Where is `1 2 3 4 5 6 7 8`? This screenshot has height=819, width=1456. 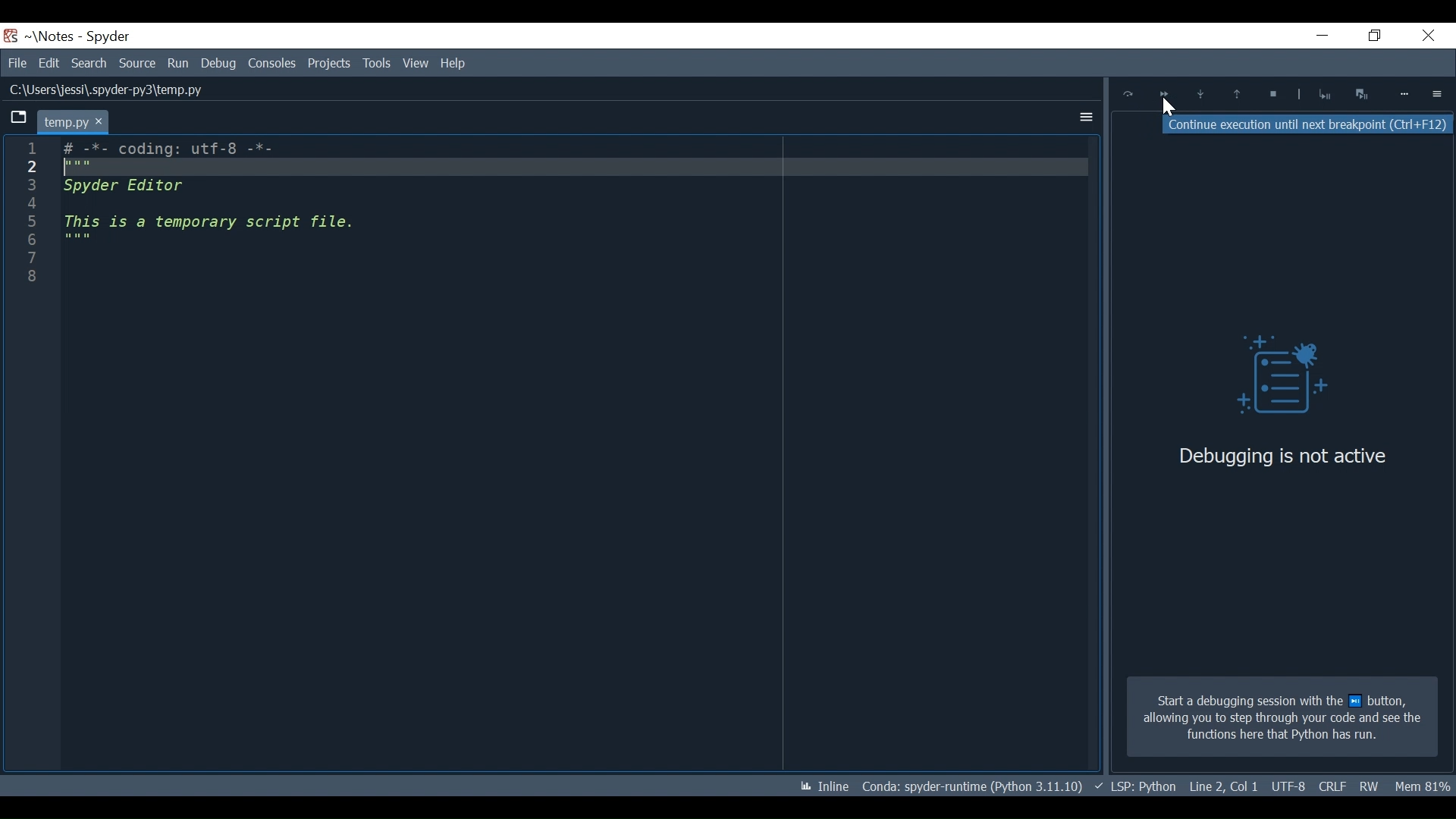 1 2 3 4 5 6 7 8 is located at coordinates (30, 218).